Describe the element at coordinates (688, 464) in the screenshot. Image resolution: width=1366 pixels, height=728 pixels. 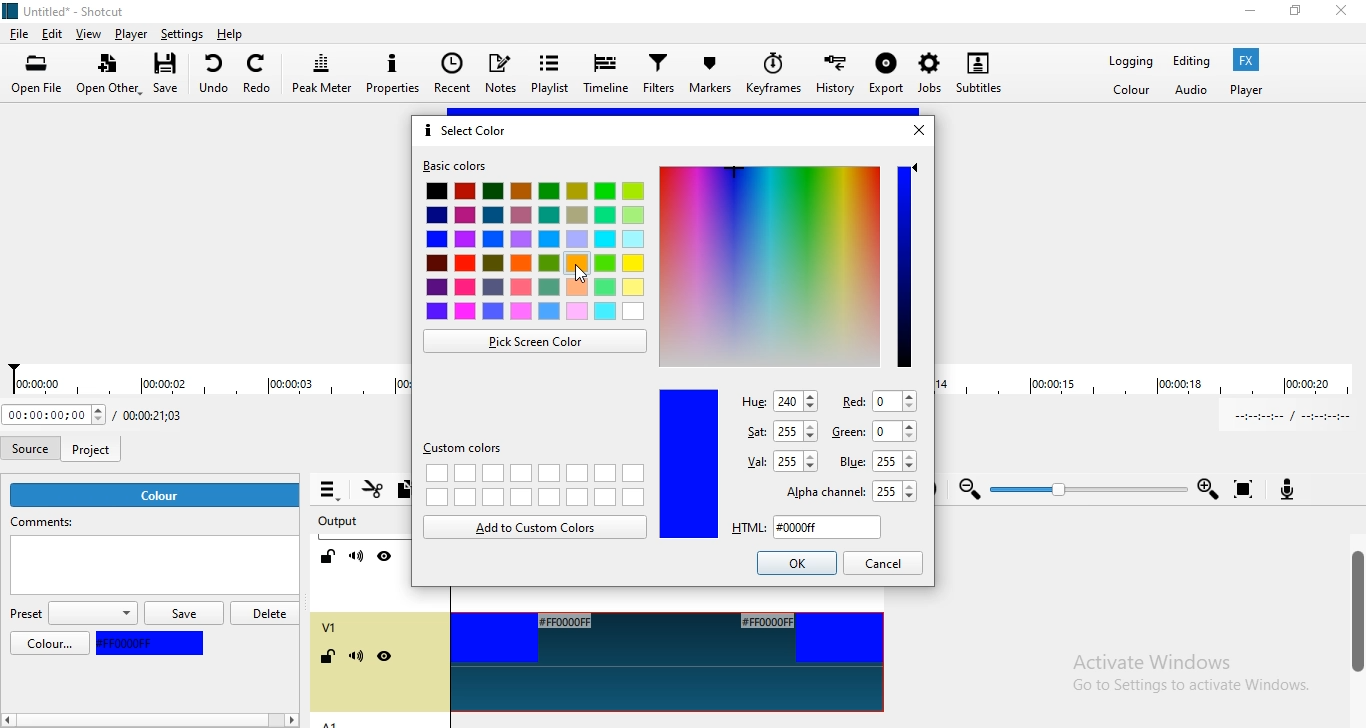
I see `blue` at that location.